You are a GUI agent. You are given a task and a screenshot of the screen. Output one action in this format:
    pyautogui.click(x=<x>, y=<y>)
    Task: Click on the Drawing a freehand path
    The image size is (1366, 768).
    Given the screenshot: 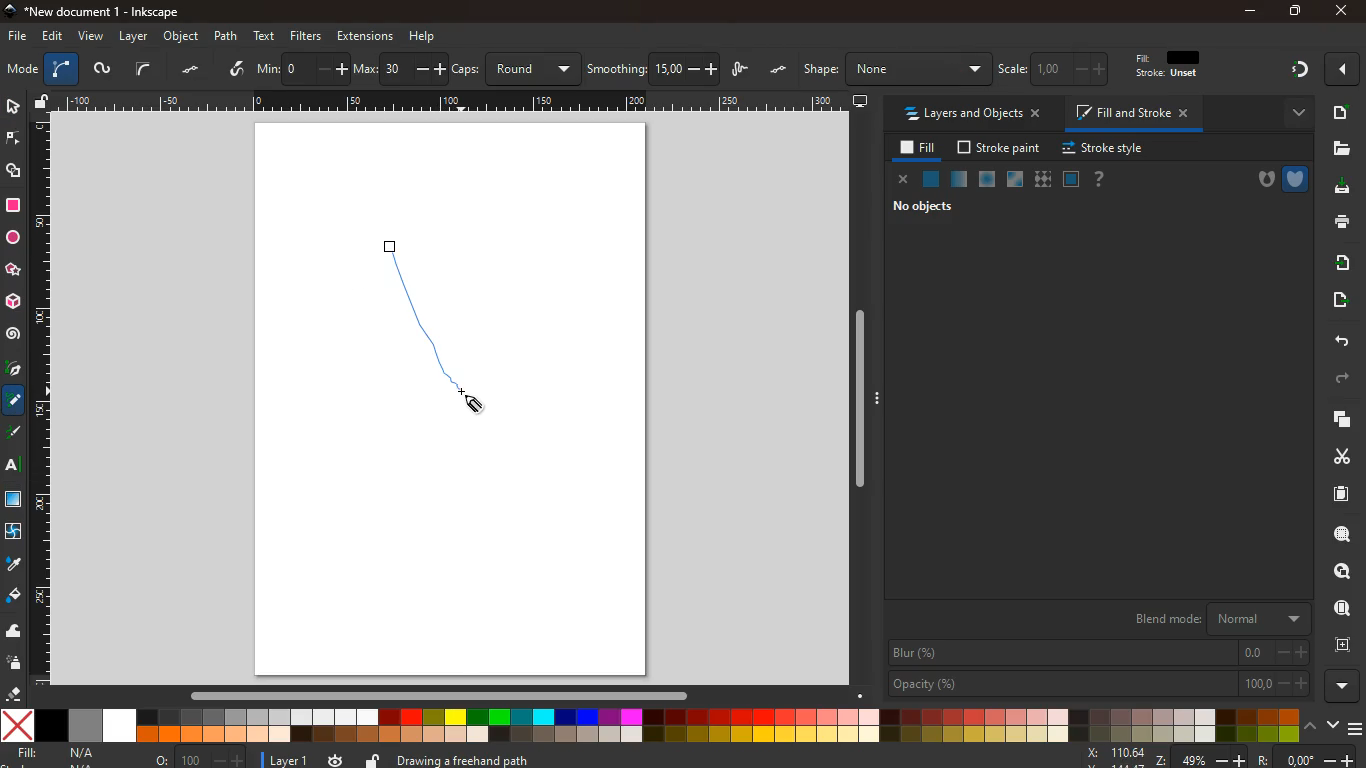 What is the action you would take?
    pyautogui.click(x=467, y=758)
    